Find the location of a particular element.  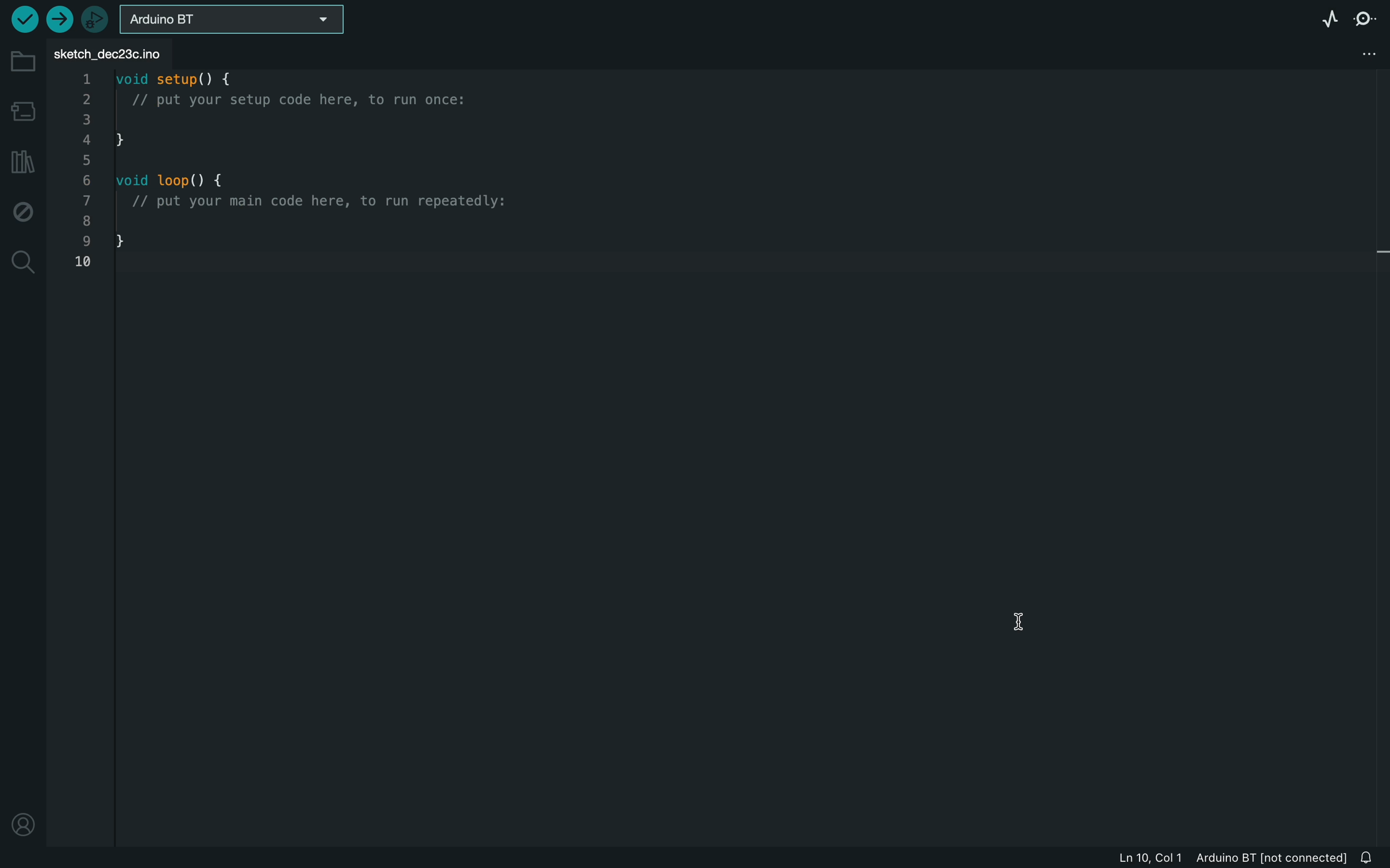

notification is located at coordinates (1372, 858).